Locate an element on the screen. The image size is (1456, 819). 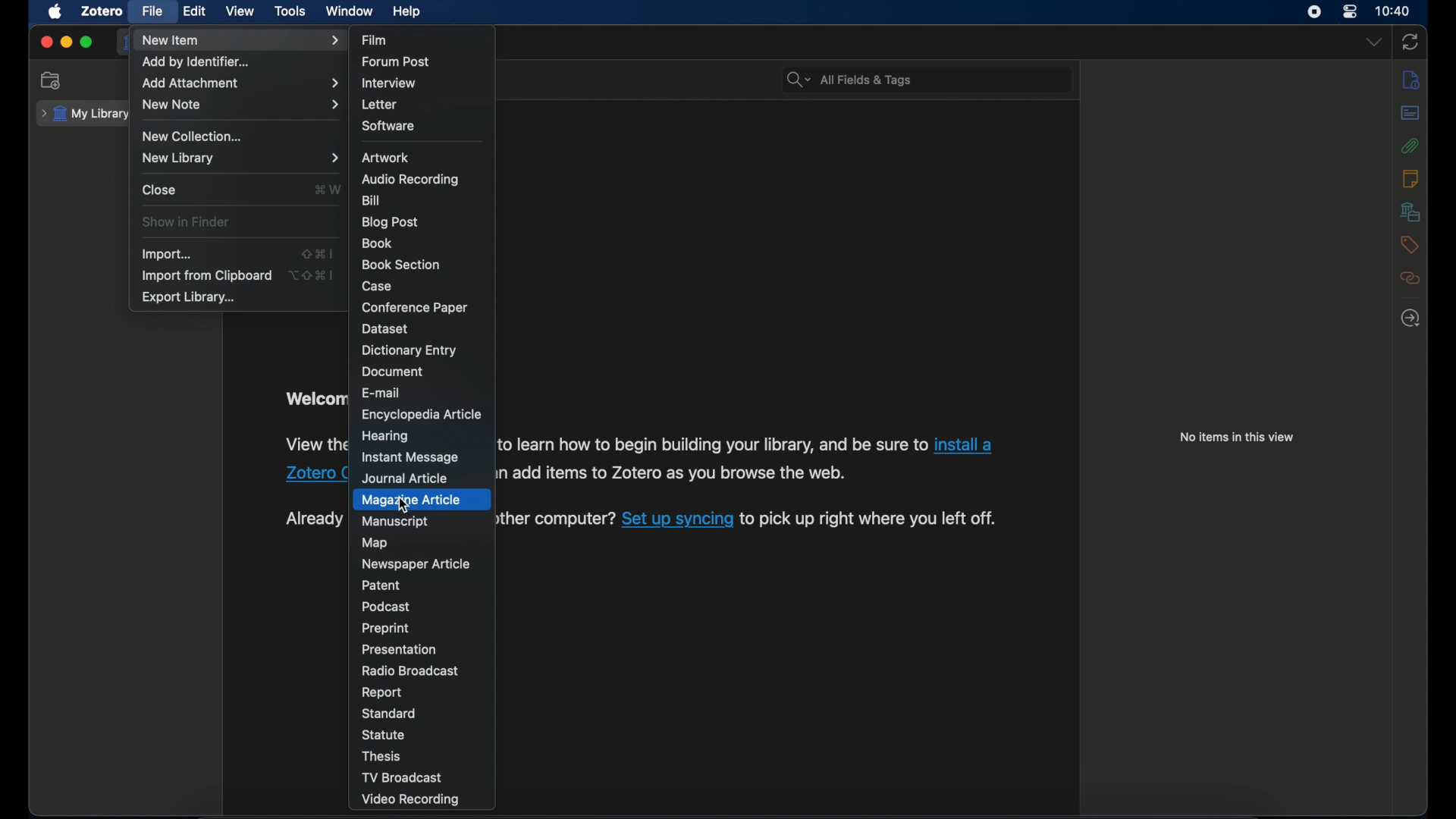
map is located at coordinates (378, 543).